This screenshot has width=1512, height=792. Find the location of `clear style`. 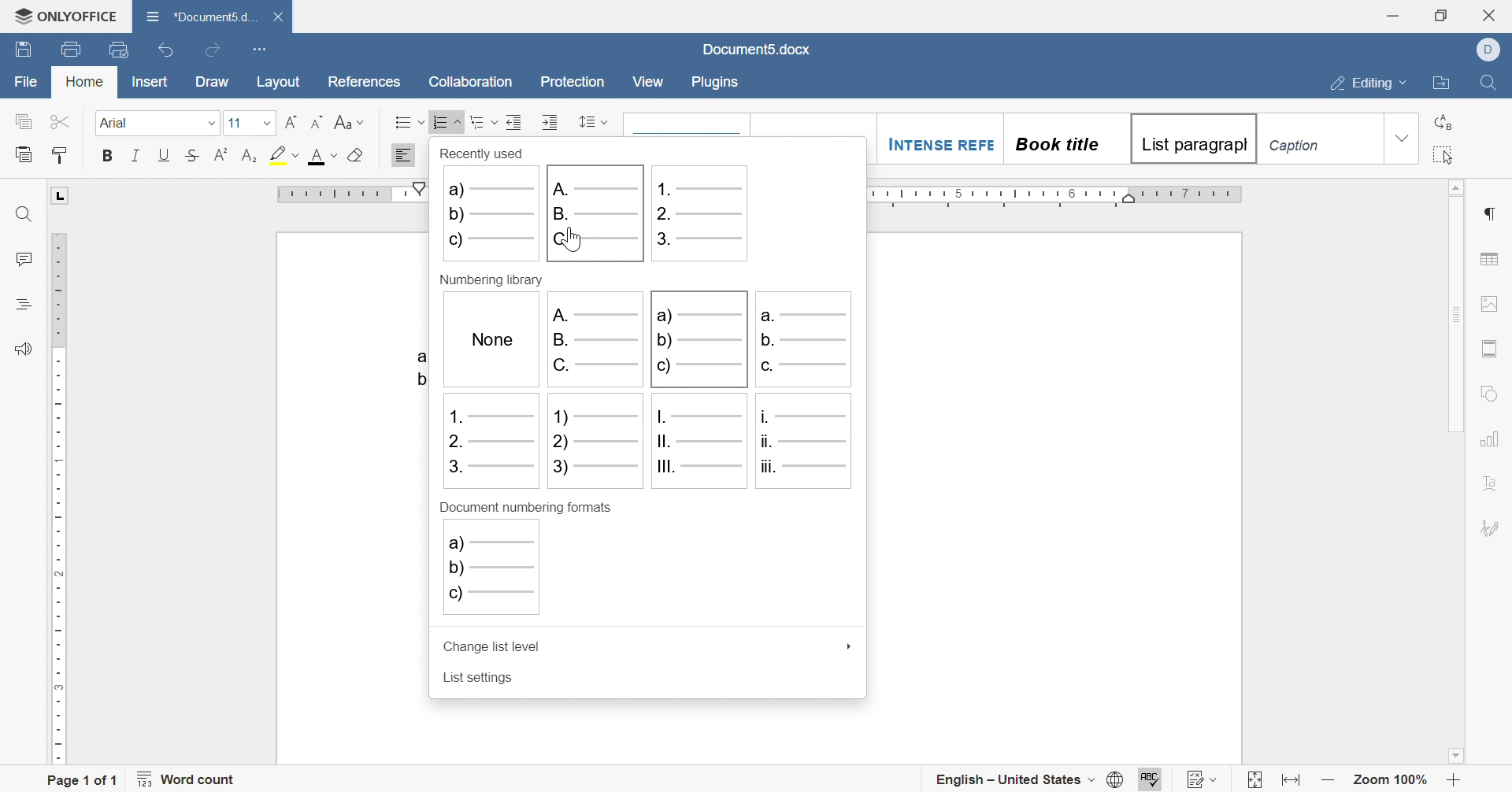

clear style is located at coordinates (358, 155).